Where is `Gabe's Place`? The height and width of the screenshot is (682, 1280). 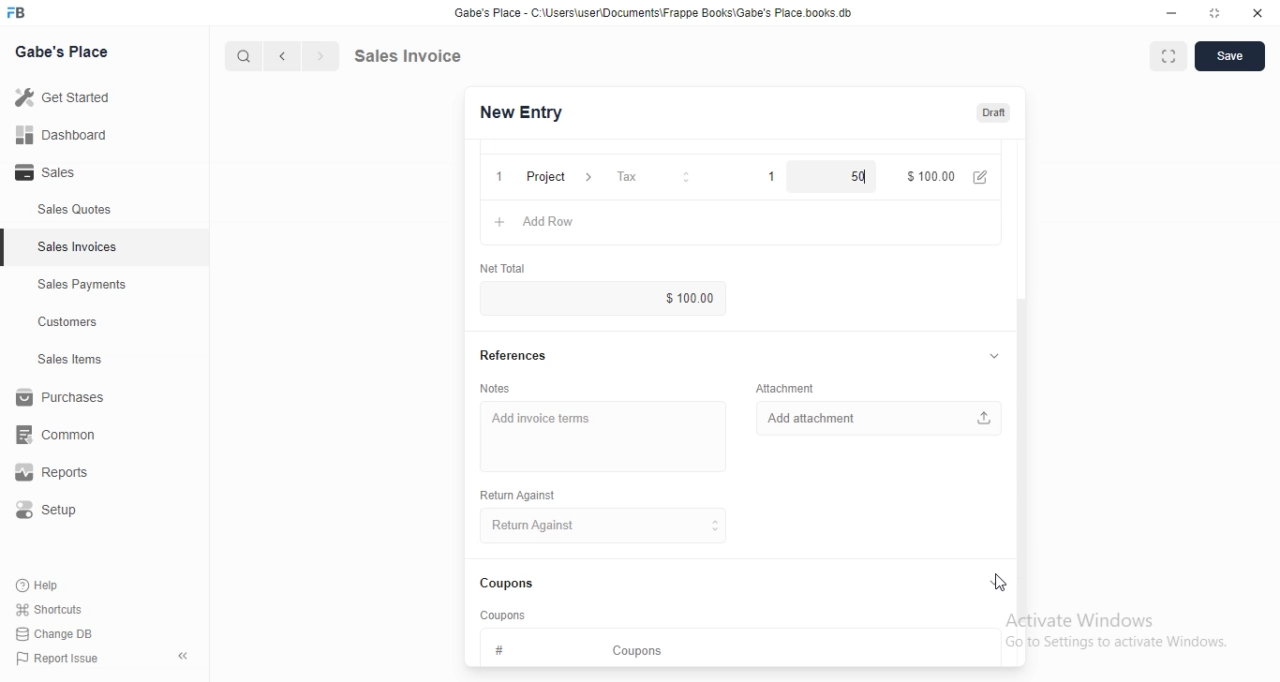
Gabe's Place is located at coordinates (66, 50).